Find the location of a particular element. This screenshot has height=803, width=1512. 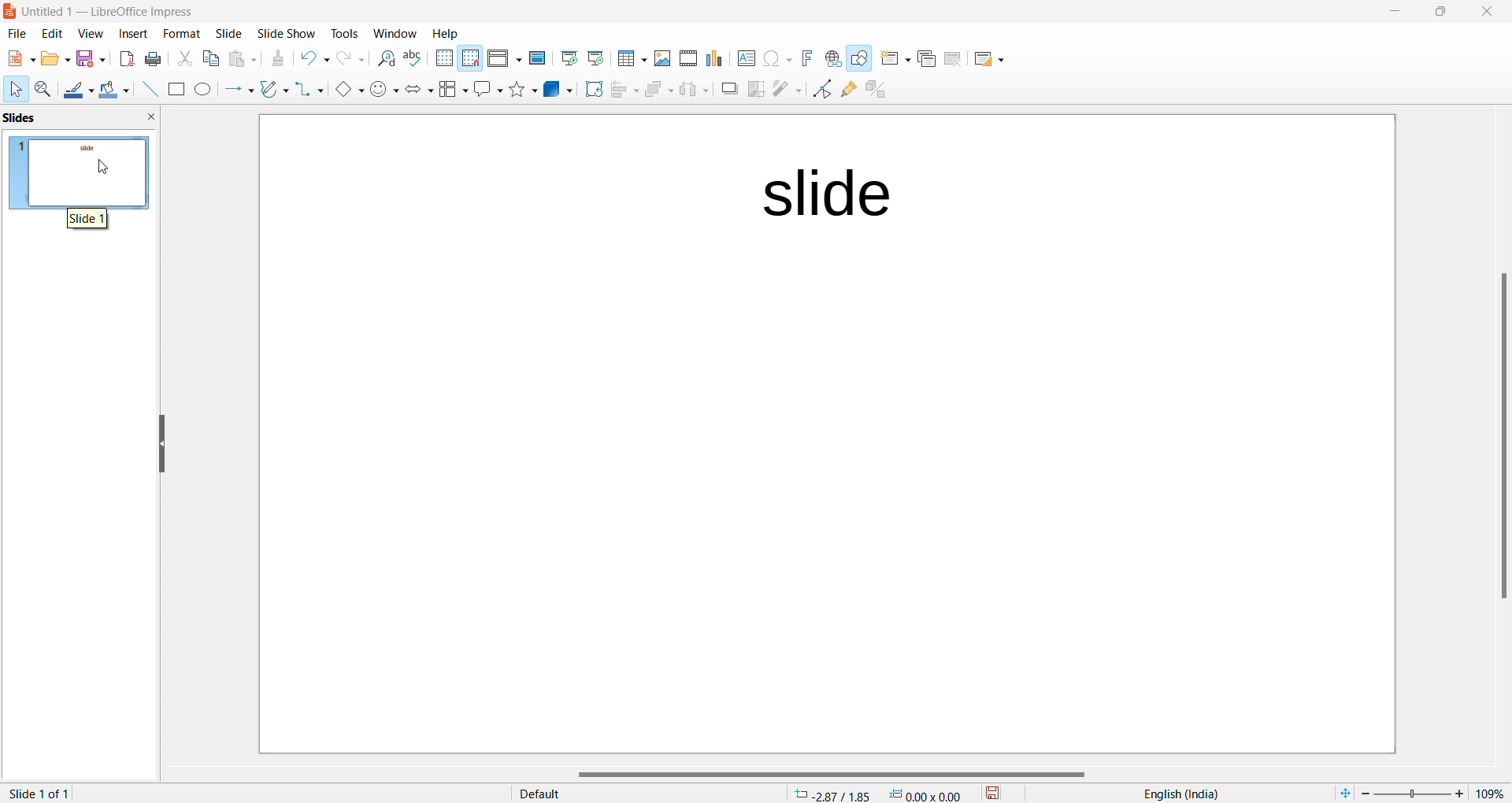

cursor location: -2.87/1.85 is located at coordinates (832, 794).